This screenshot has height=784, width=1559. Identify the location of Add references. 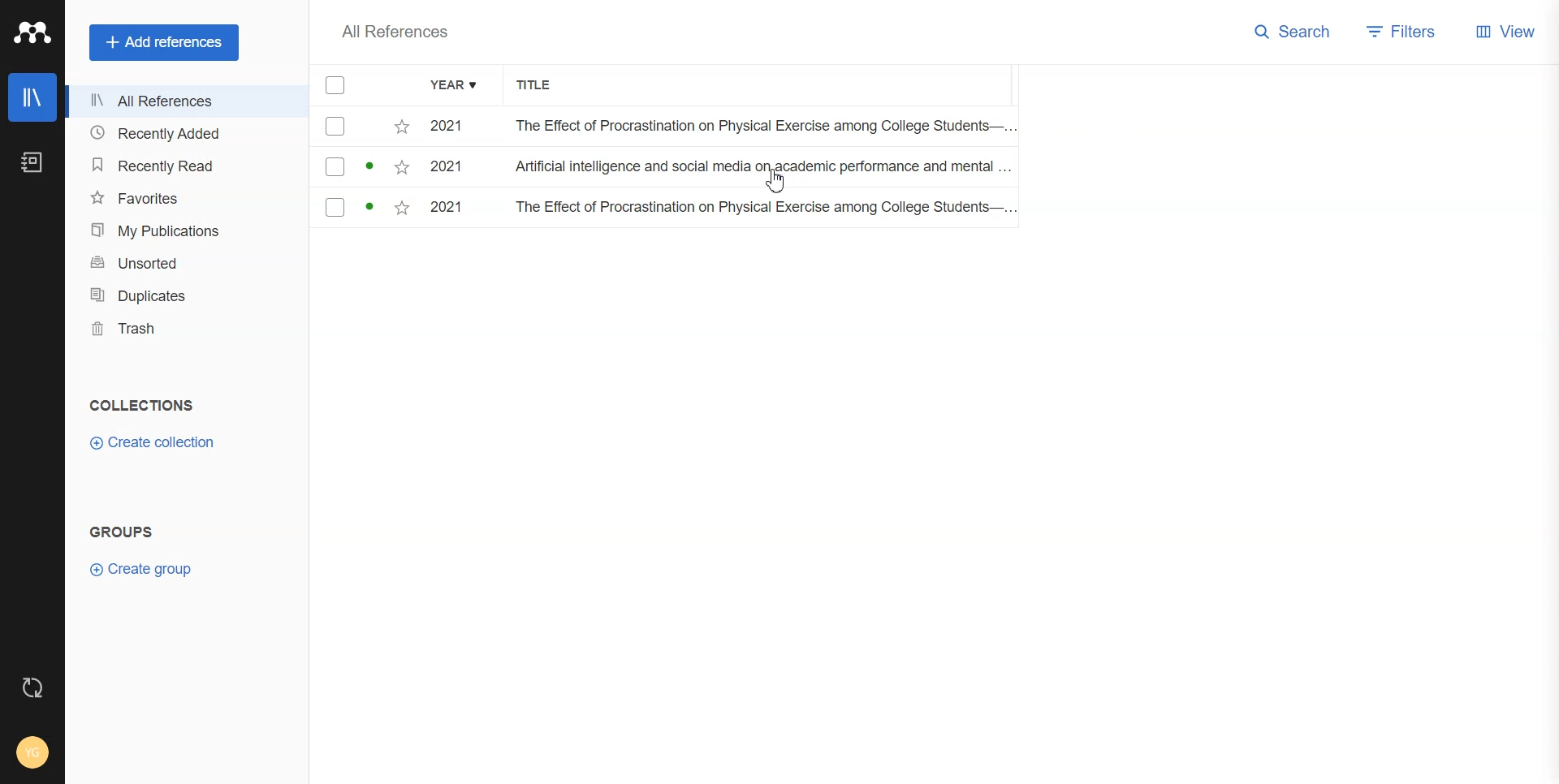
(166, 42).